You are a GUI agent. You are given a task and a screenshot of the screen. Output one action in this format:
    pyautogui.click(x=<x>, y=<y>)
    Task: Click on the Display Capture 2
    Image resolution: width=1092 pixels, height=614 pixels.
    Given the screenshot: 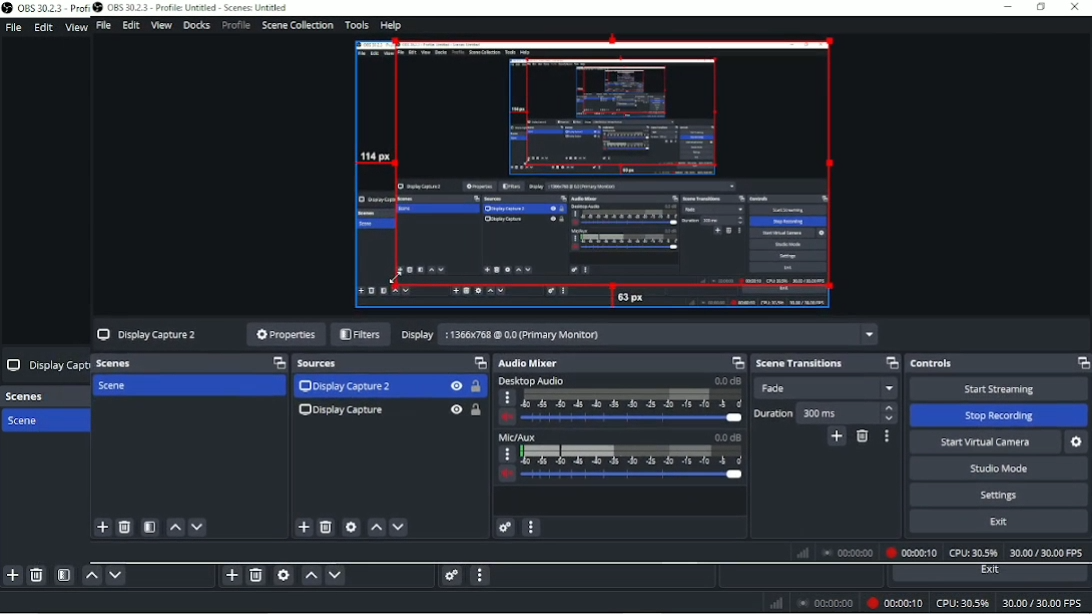 What is the action you would take?
    pyautogui.click(x=348, y=387)
    